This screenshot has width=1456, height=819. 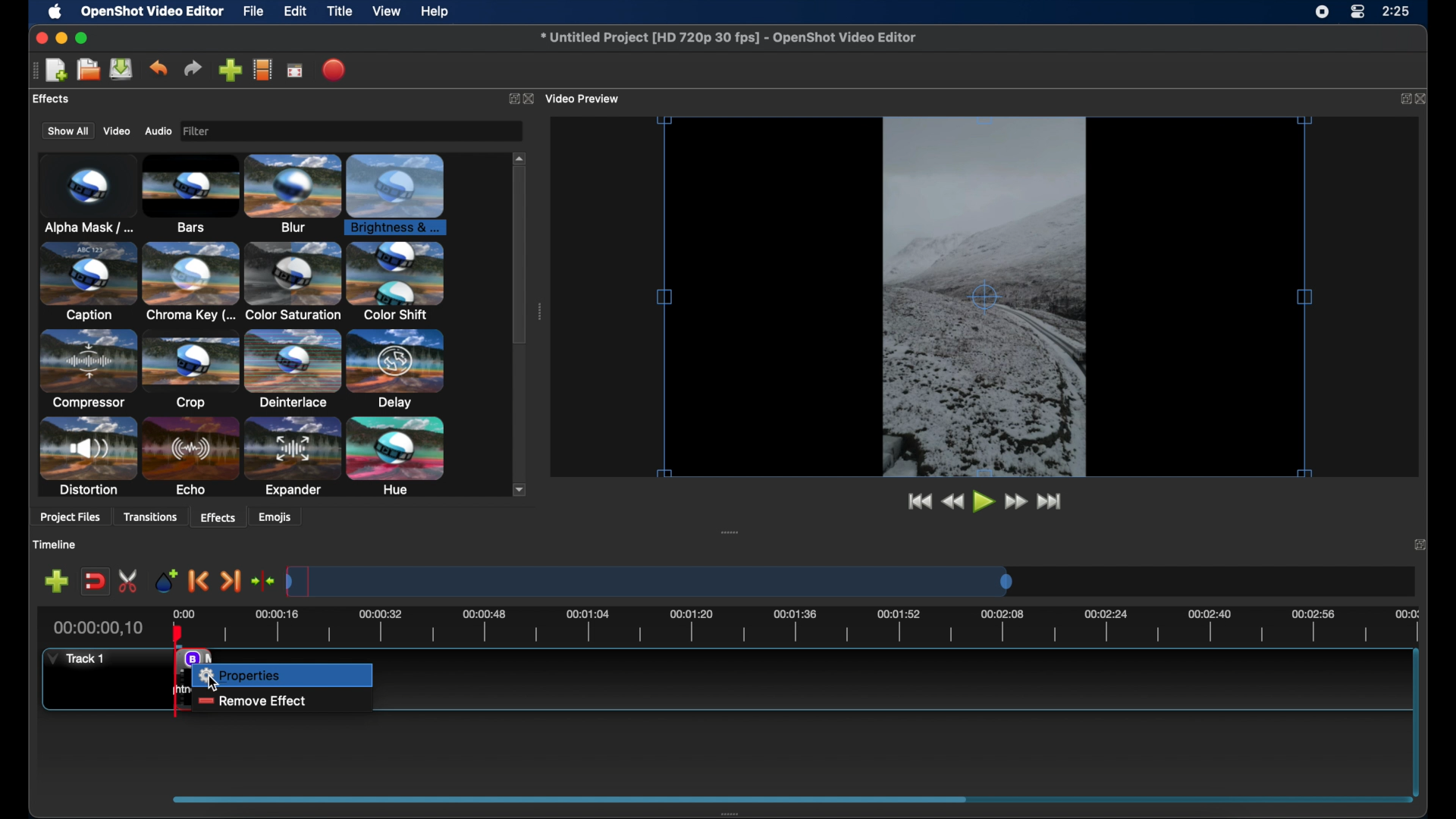 I want to click on new project, so click(x=56, y=69).